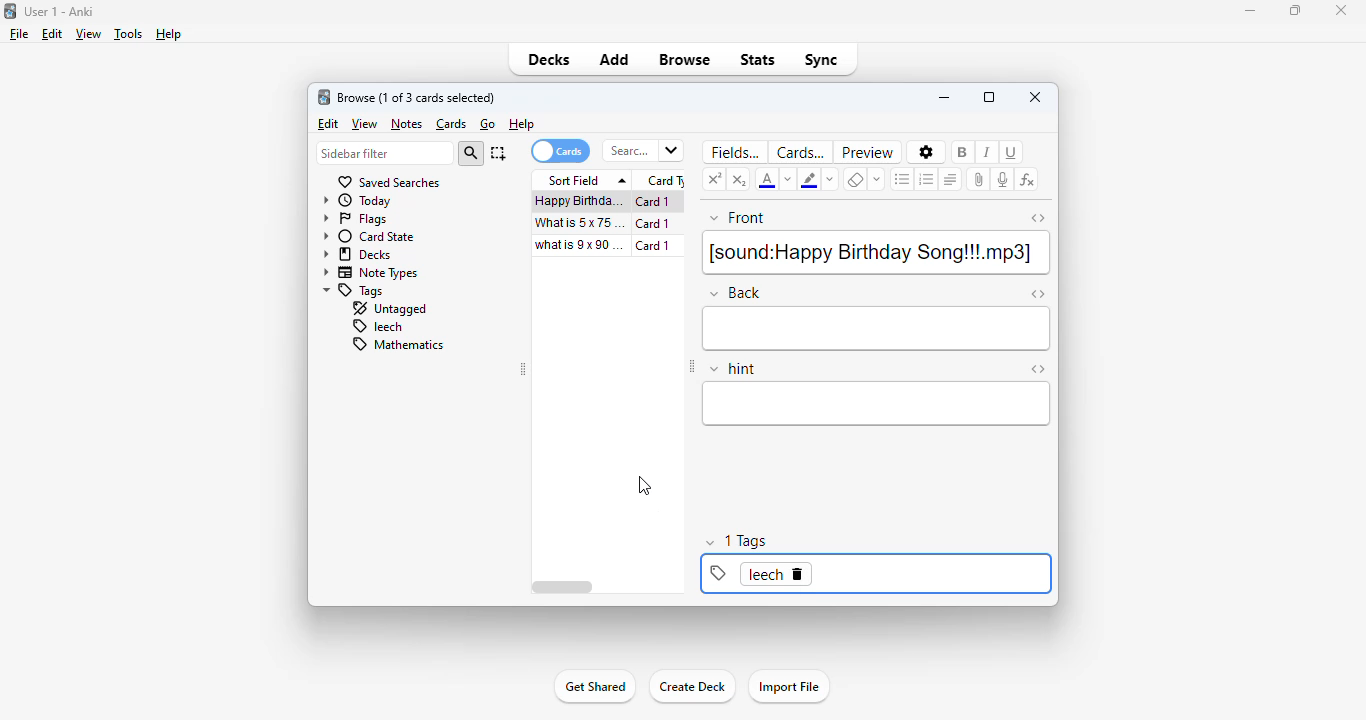 The width and height of the screenshot is (1366, 720). Describe the element at coordinates (828, 178) in the screenshot. I see `change color` at that location.